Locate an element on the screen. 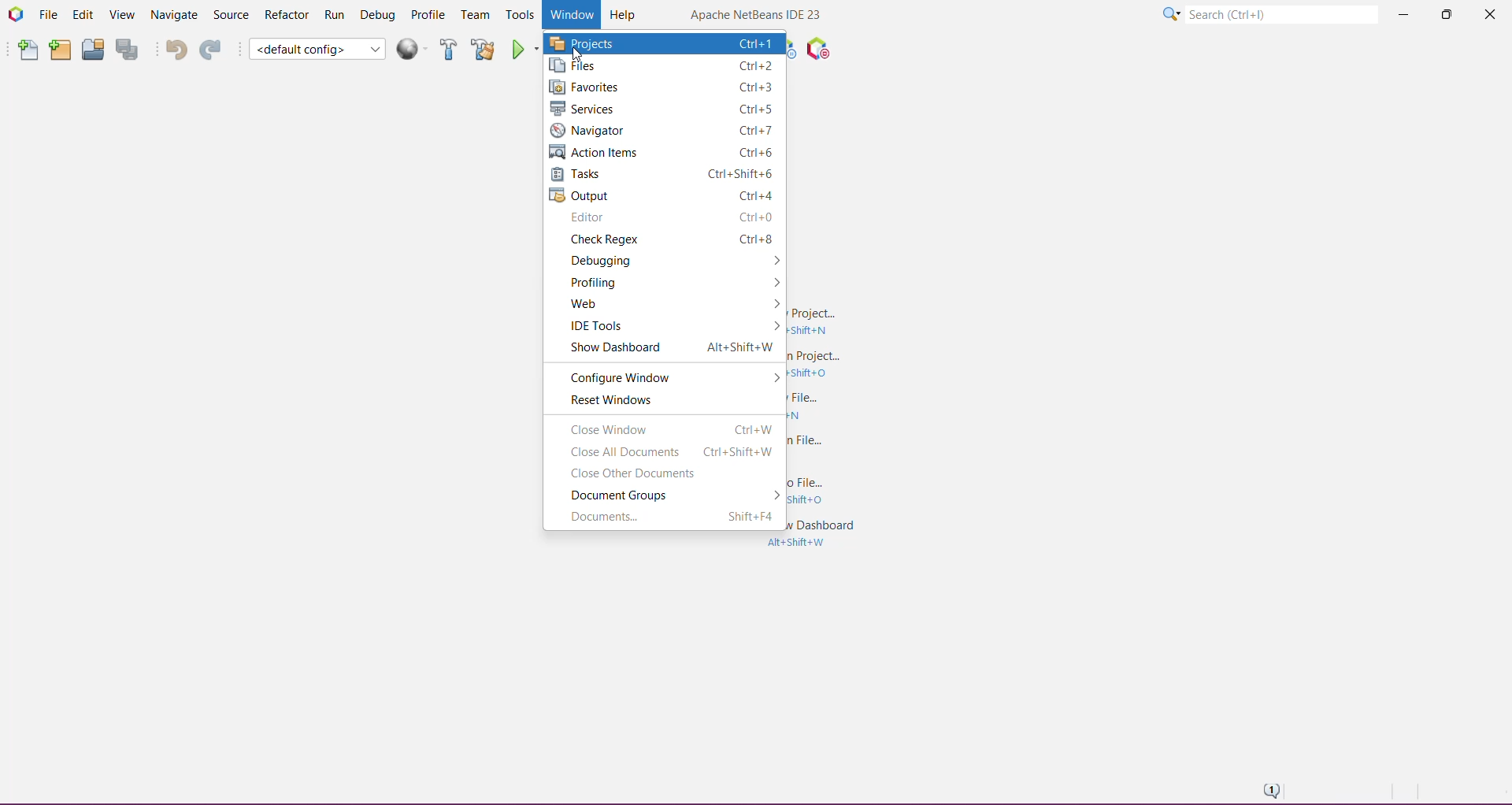 The width and height of the screenshot is (1512, 805). Show Dashboard is located at coordinates (665, 350).